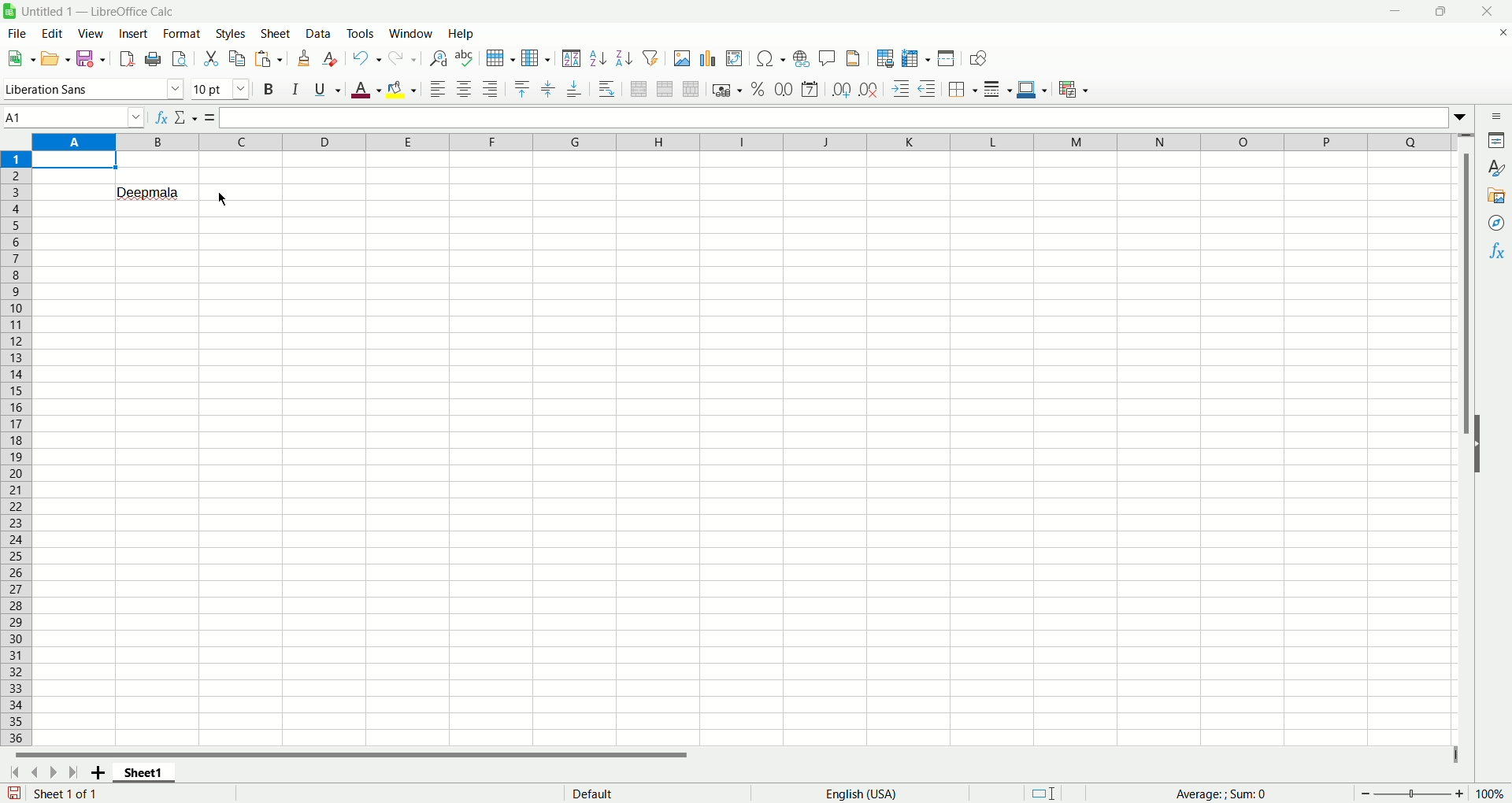 This screenshot has width=1512, height=803. I want to click on Save, so click(91, 57).